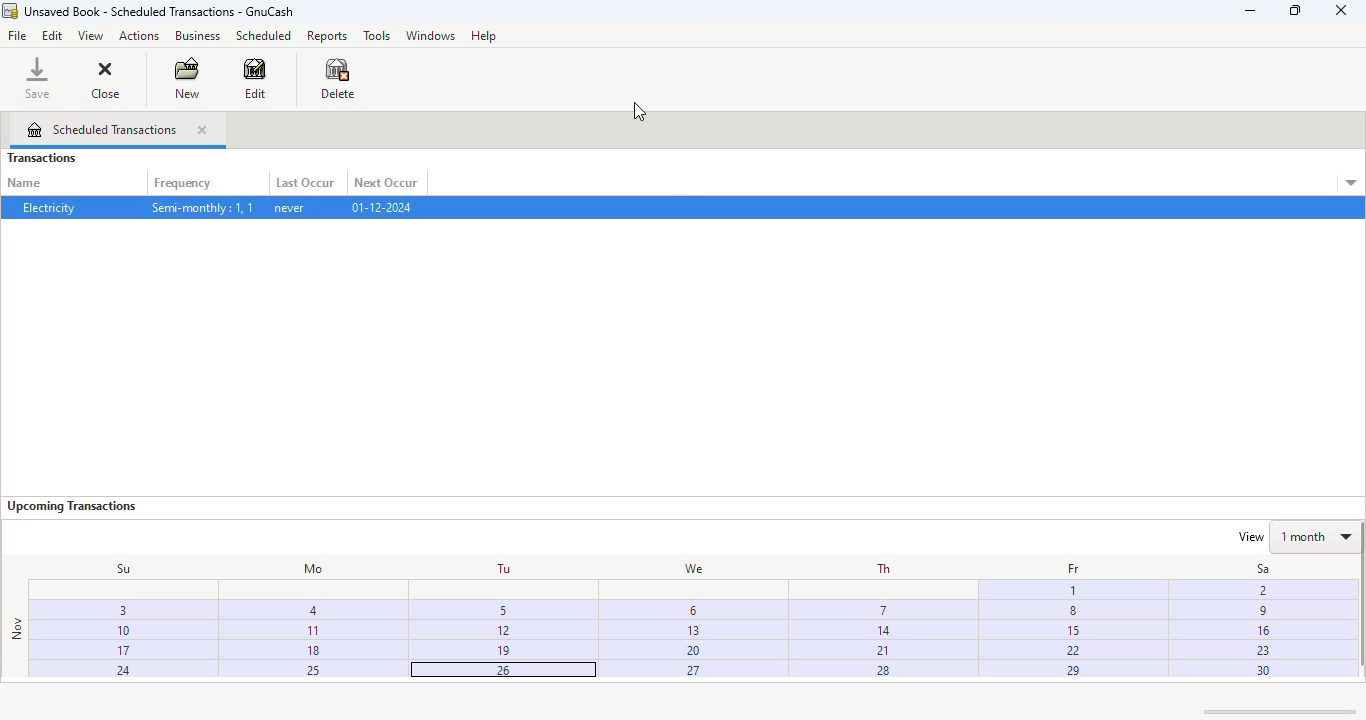 The width and height of the screenshot is (1366, 720). Describe the element at coordinates (1073, 632) in the screenshot. I see `15` at that location.